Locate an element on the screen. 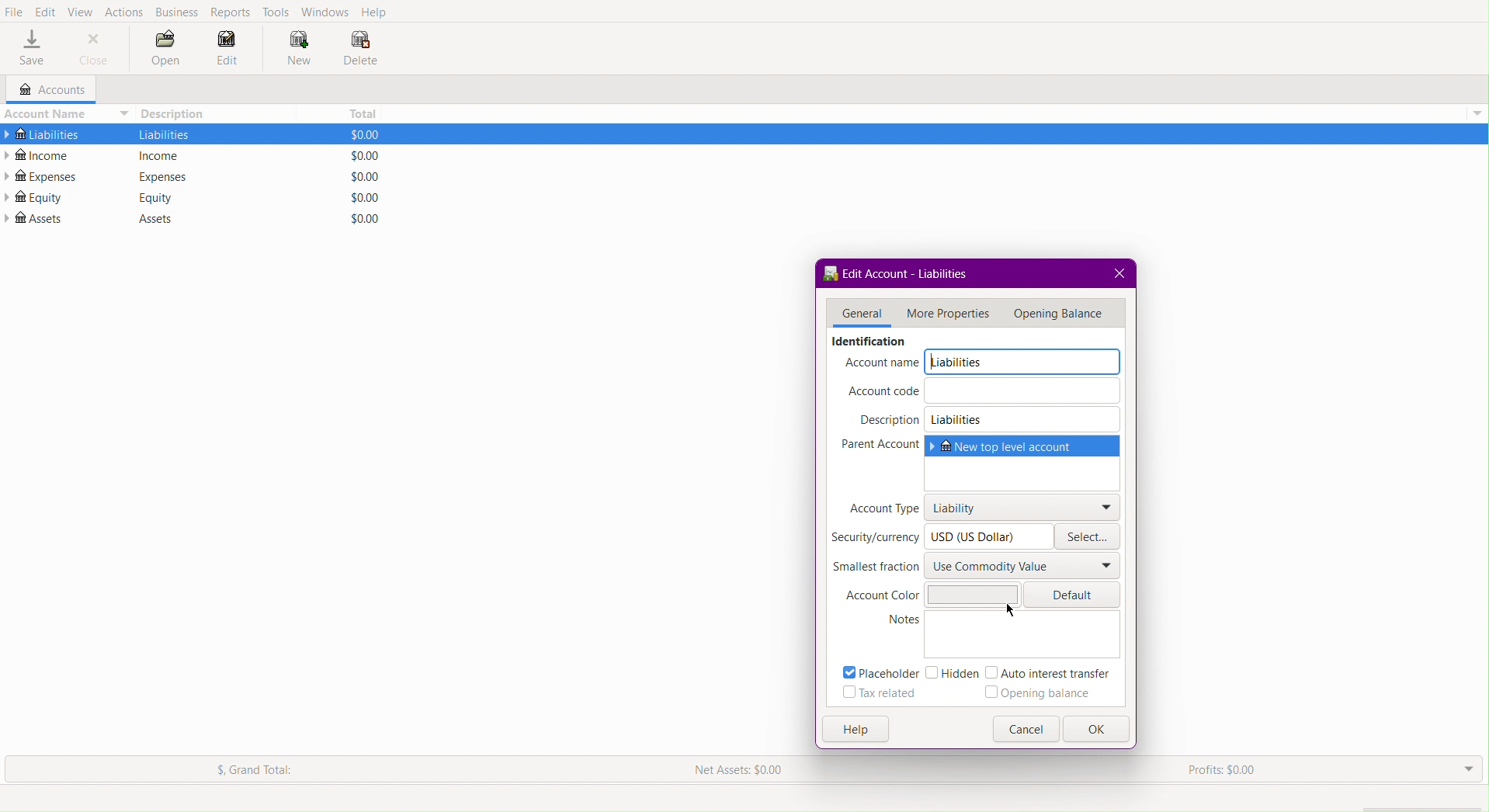 The image size is (1489, 812). Placeholder is located at coordinates (880, 673).